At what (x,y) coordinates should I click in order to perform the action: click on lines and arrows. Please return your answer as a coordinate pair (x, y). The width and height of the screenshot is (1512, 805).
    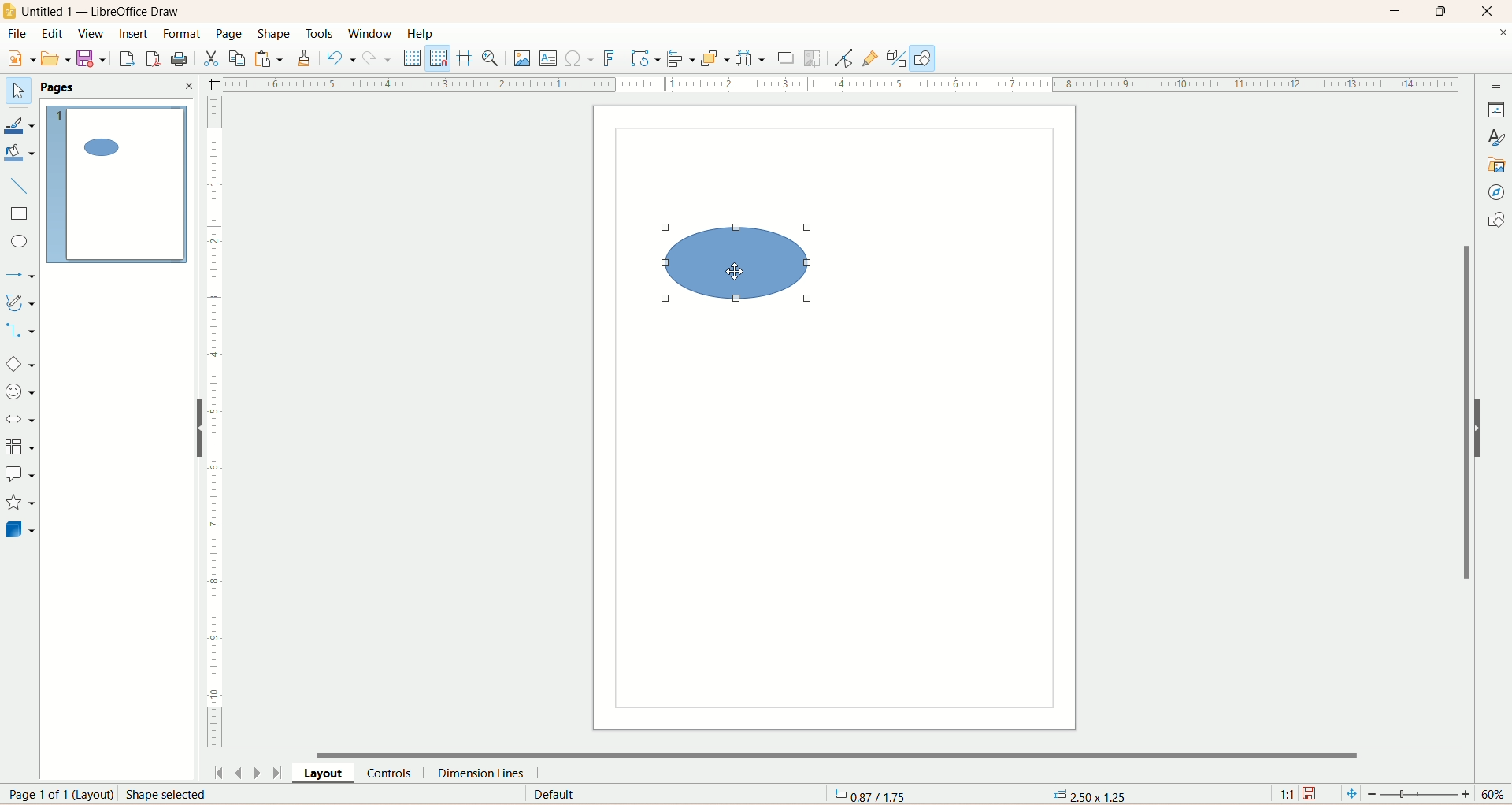
    Looking at the image, I should click on (20, 275).